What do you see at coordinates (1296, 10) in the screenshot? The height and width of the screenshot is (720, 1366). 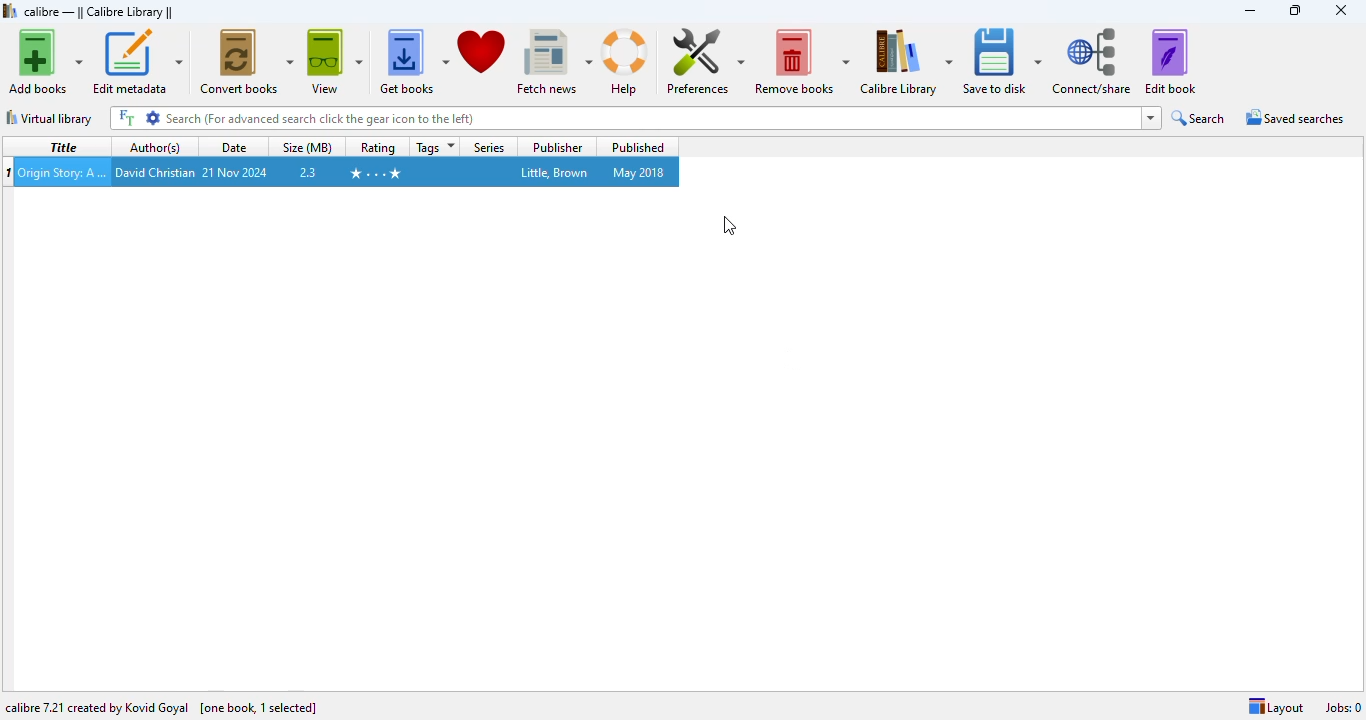 I see `maximize` at bounding box center [1296, 10].